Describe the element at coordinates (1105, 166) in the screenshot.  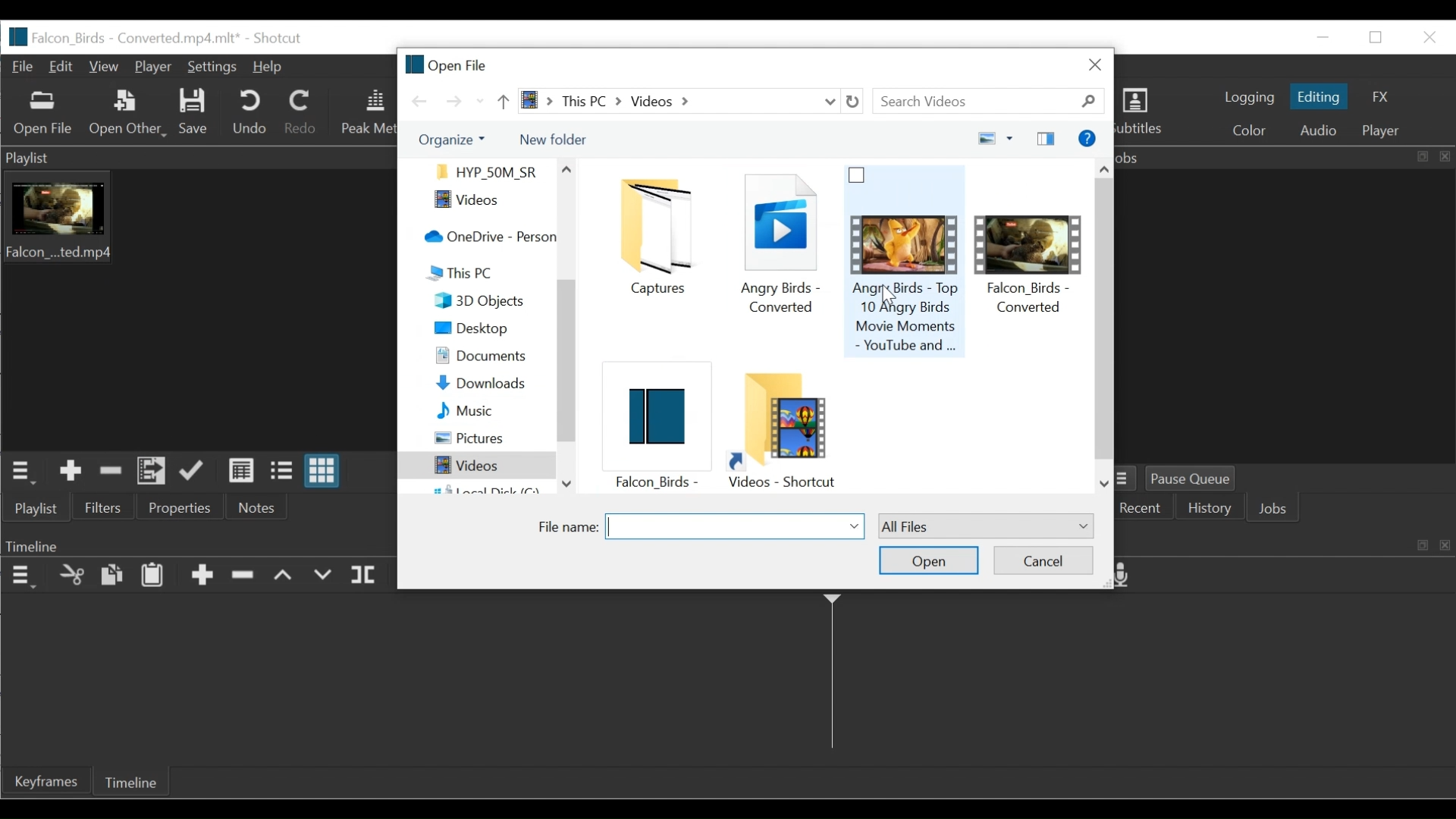
I see `Scroll up` at that location.